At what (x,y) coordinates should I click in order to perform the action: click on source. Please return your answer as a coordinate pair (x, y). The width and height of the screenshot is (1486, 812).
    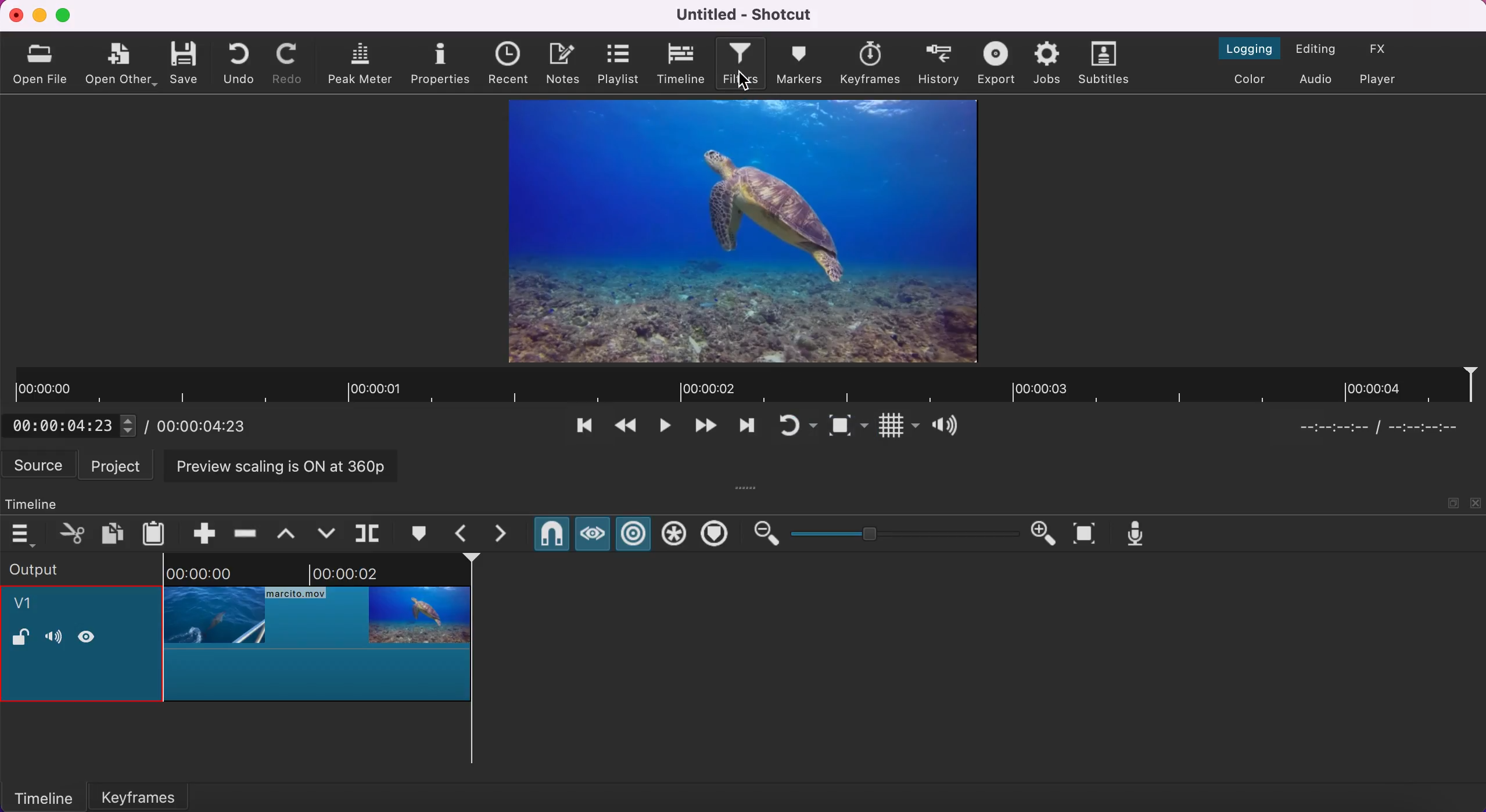
    Looking at the image, I should click on (40, 465).